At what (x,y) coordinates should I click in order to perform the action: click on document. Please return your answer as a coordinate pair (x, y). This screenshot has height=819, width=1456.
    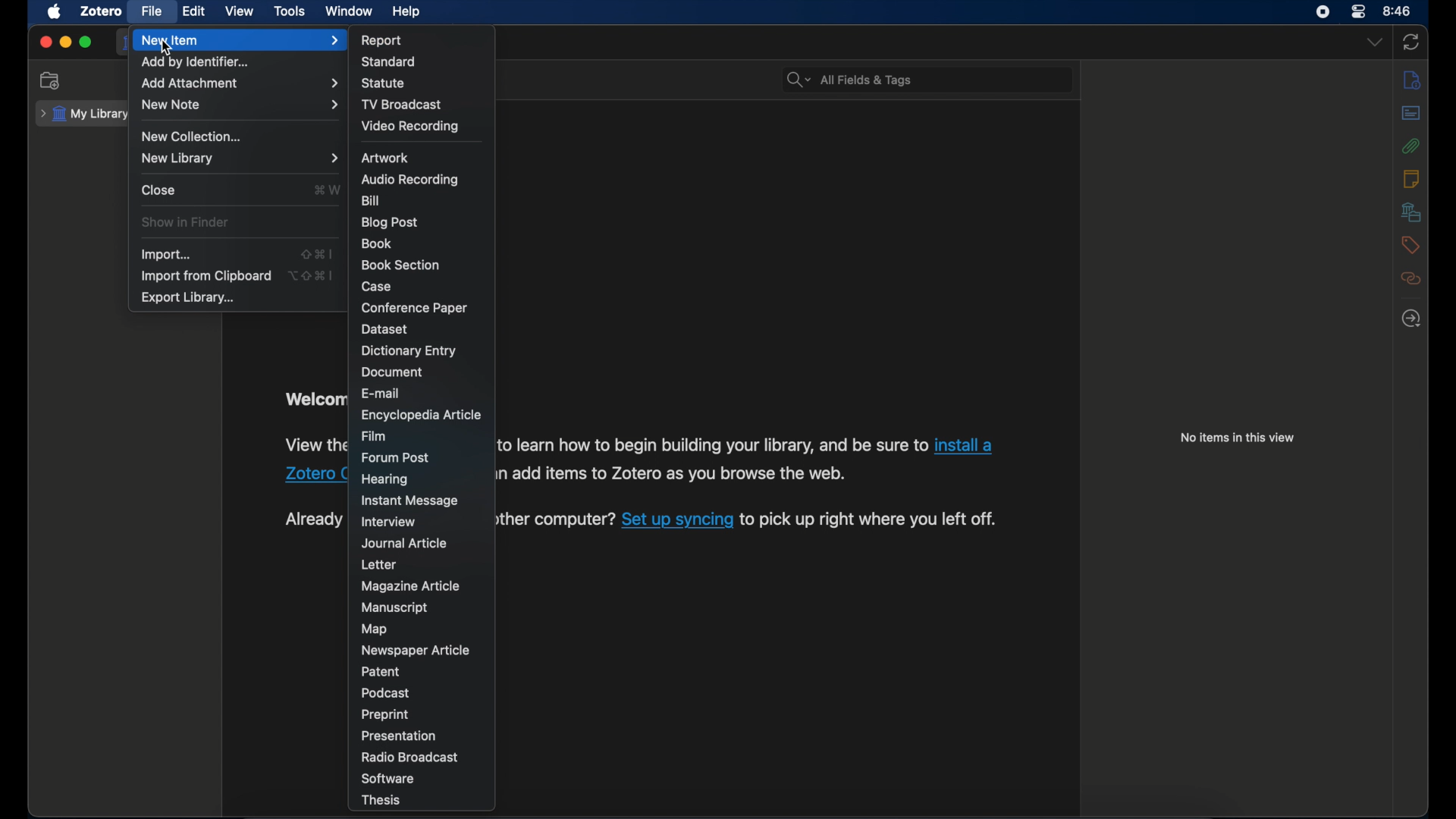
    Looking at the image, I should click on (393, 372).